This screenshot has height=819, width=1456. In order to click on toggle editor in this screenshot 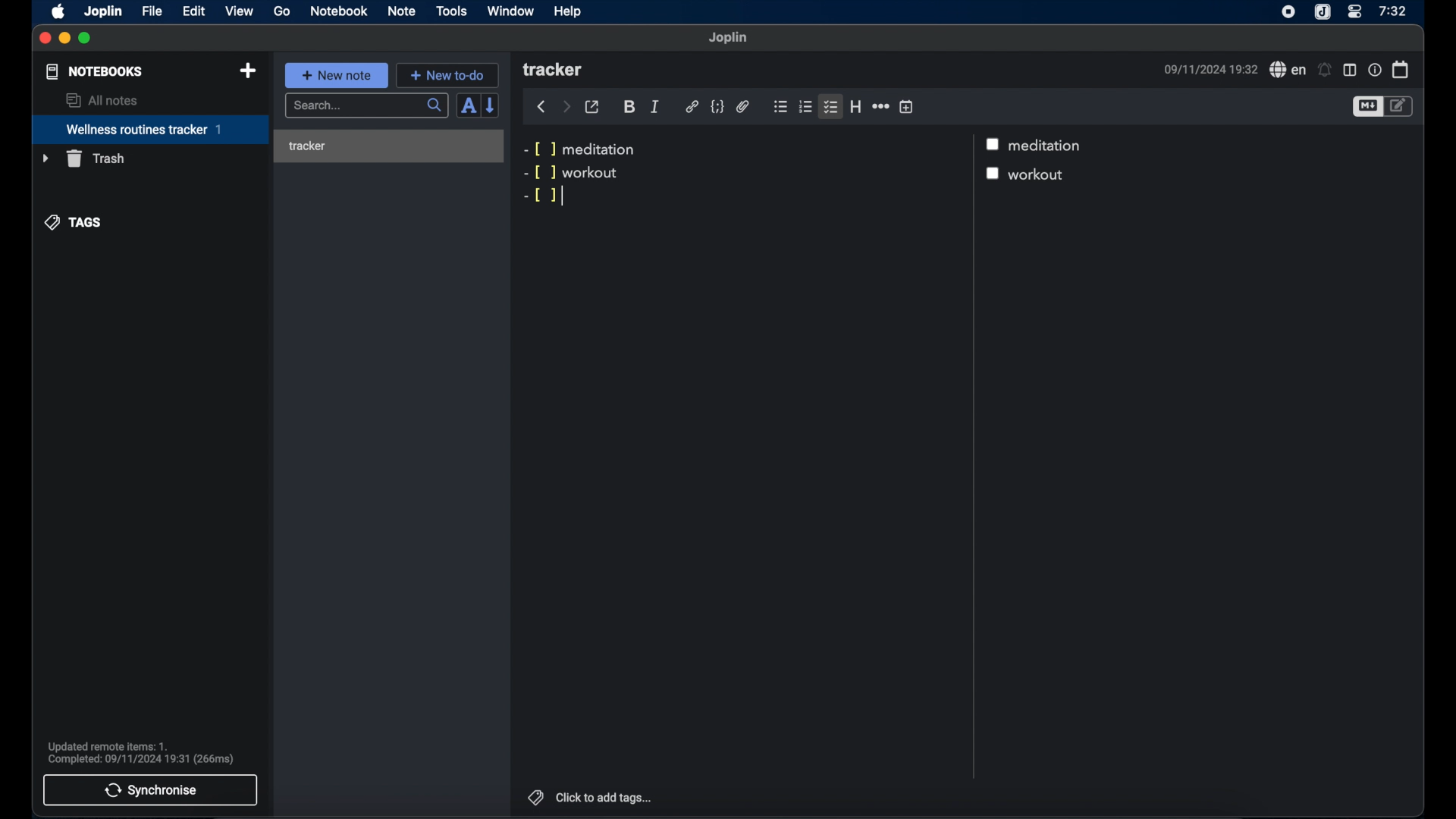, I will do `click(1367, 106)`.